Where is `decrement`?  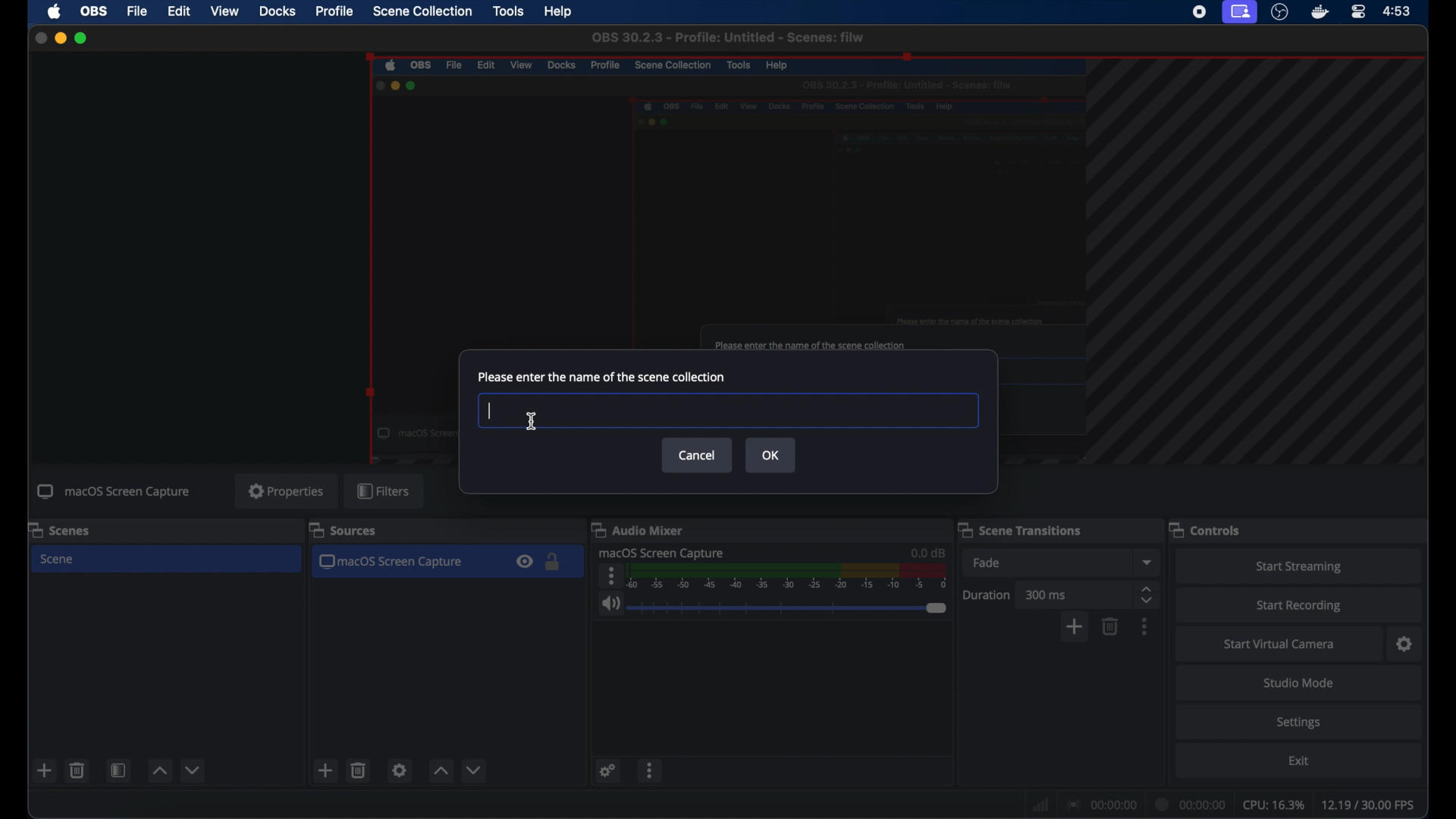
decrement is located at coordinates (473, 769).